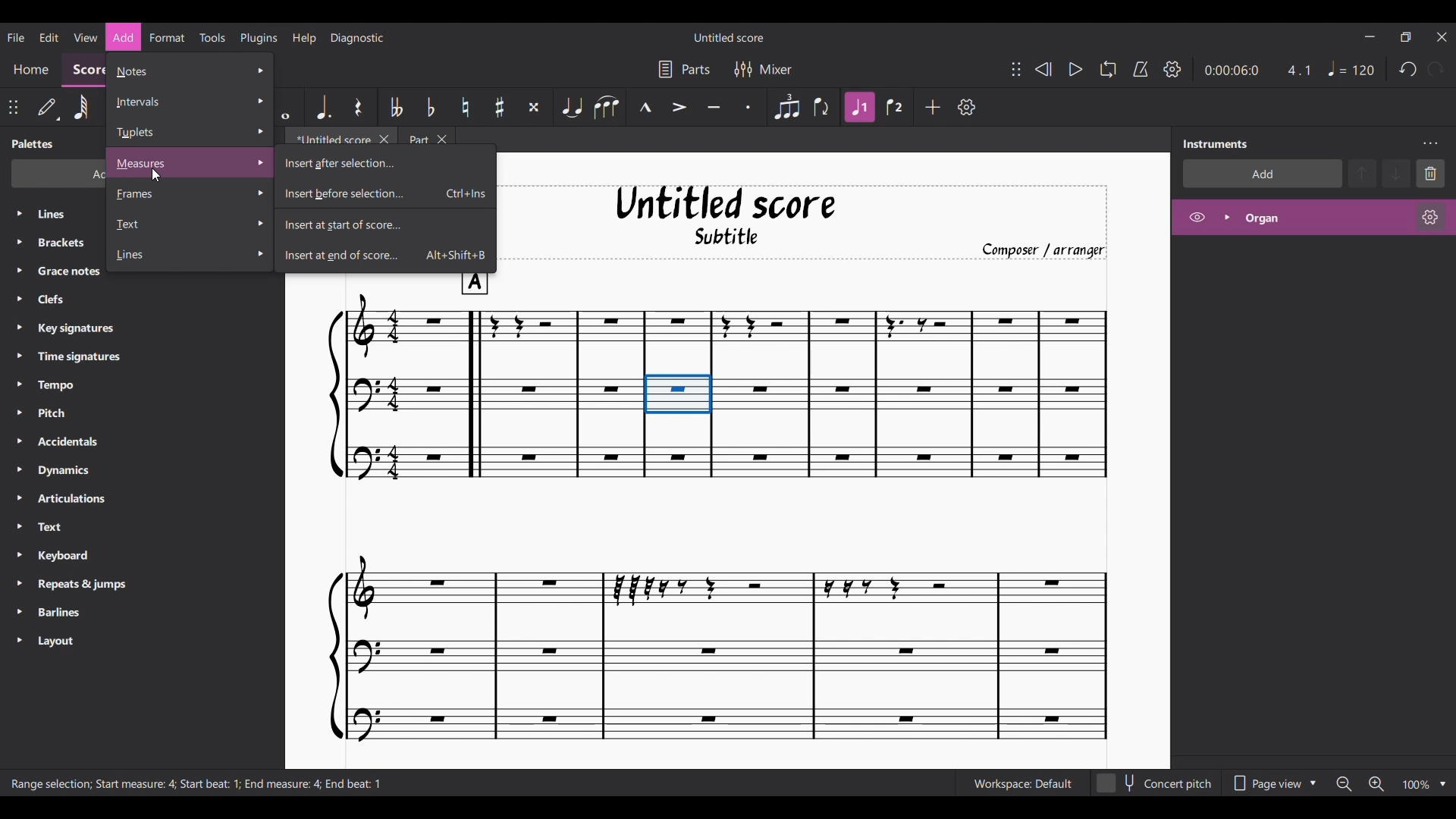 Image resolution: width=1456 pixels, height=819 pixels. I want to click on Plugins menu, so click(259, 37).